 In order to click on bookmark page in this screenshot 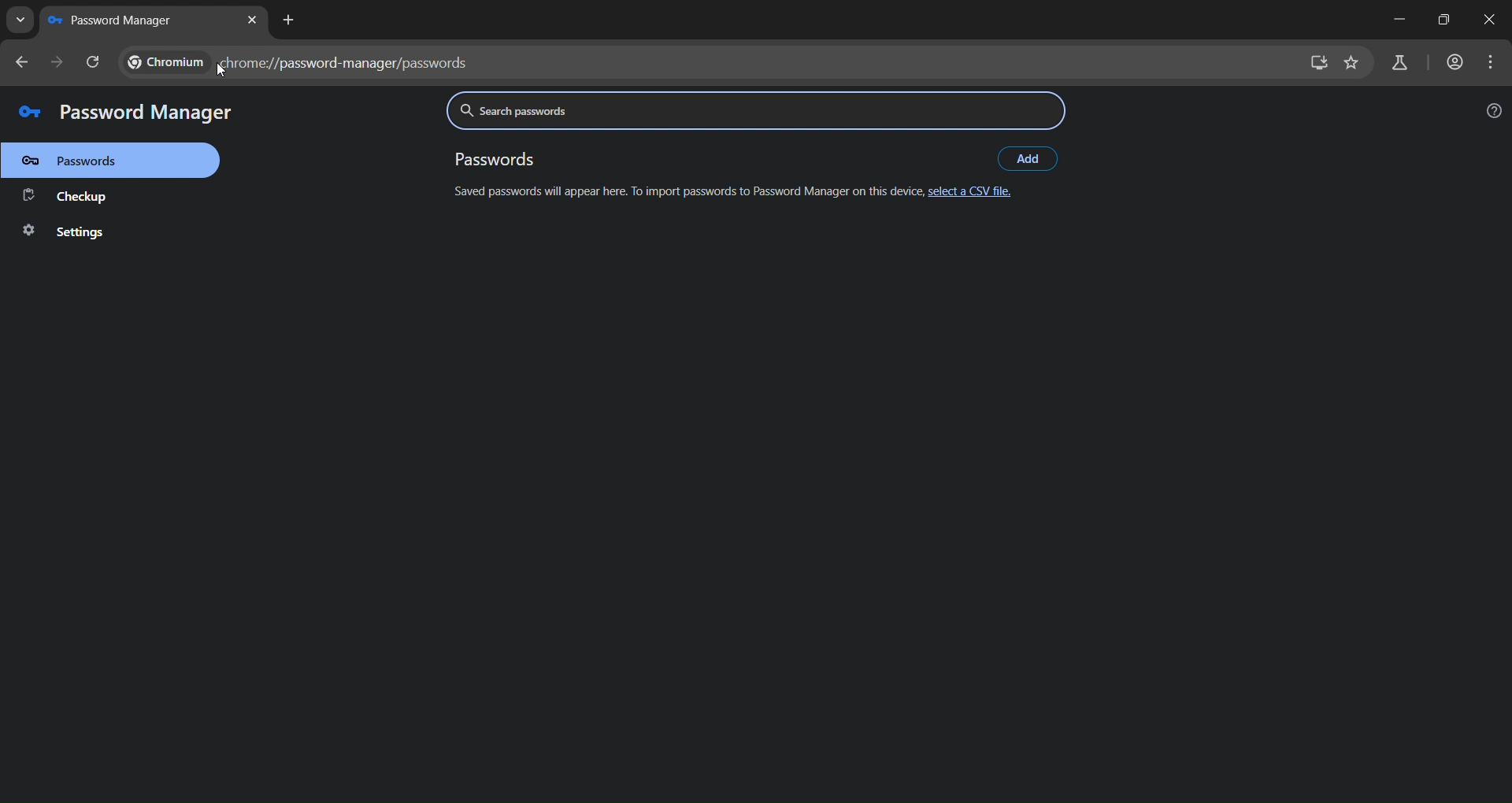, I will do `click(1353, 62)`.